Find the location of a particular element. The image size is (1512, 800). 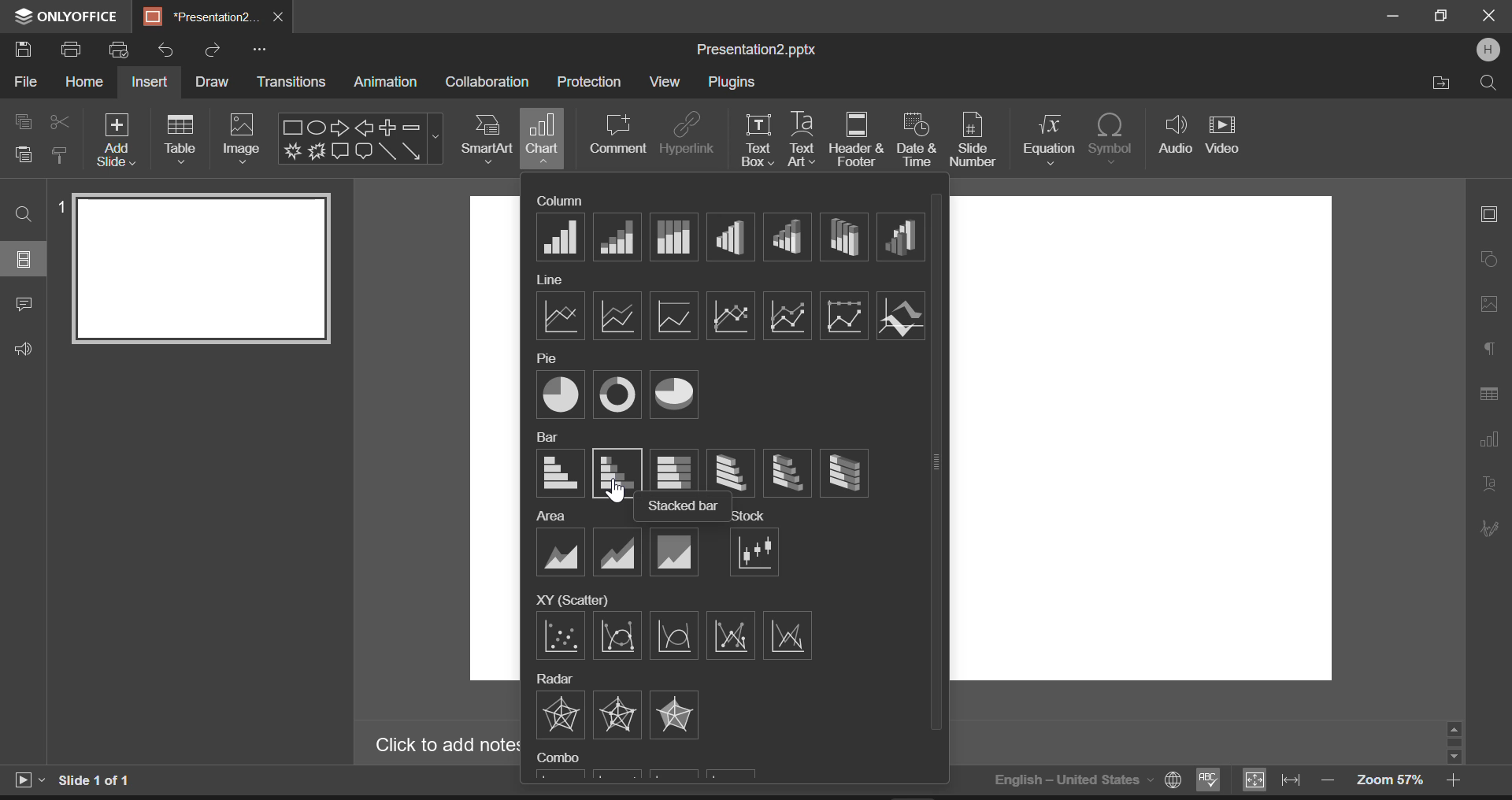

100% Stacked Column is located at coordinates (674, 236).